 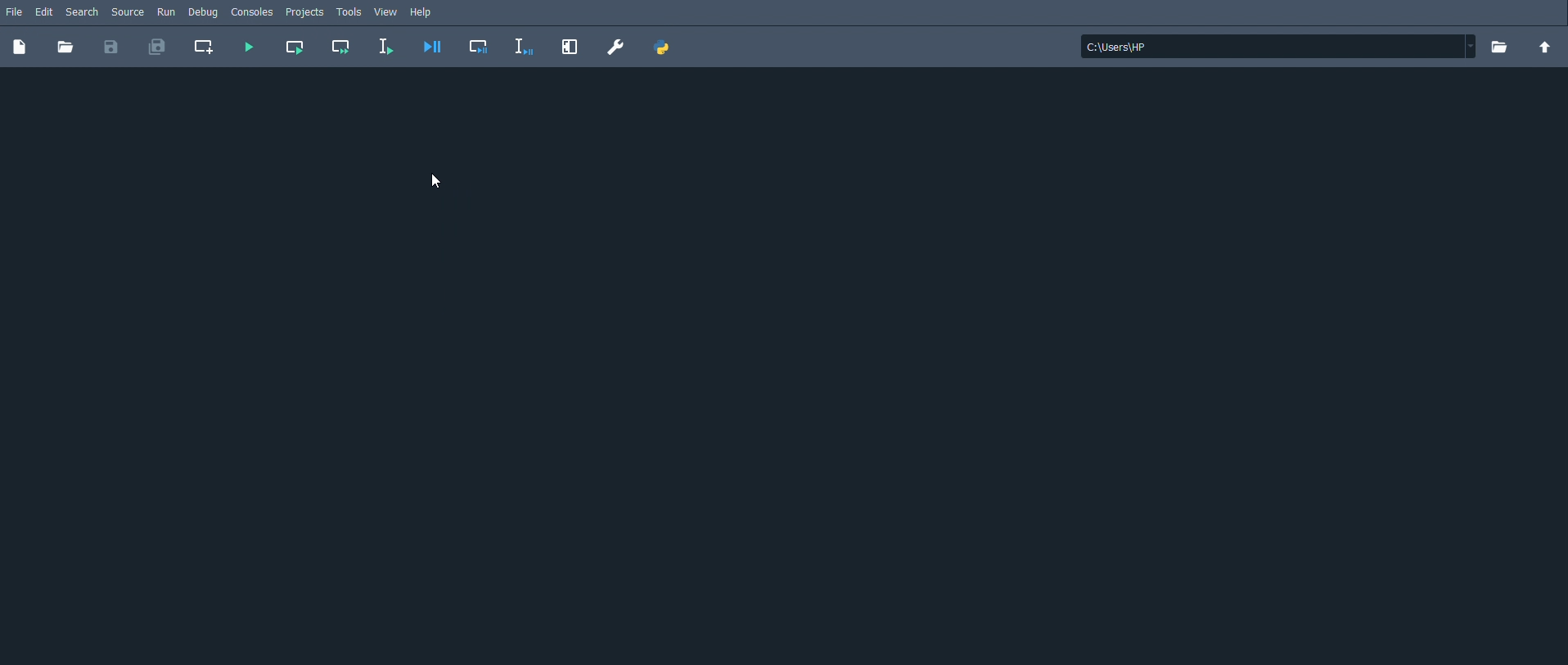 I want to click on Maximize current pane, so click(x=569, y=47).